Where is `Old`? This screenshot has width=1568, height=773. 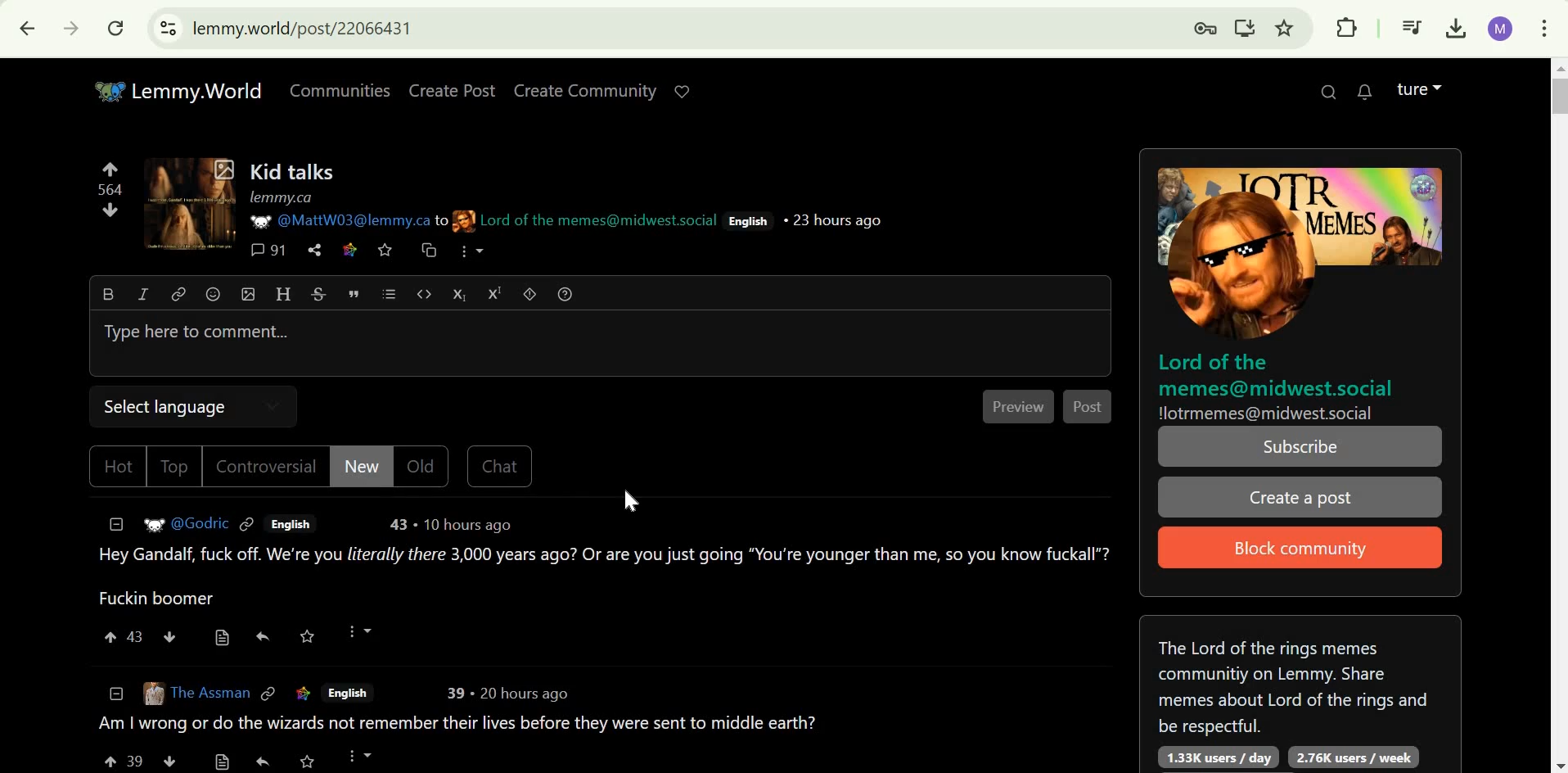
Old is located at coordinates (423, 467).